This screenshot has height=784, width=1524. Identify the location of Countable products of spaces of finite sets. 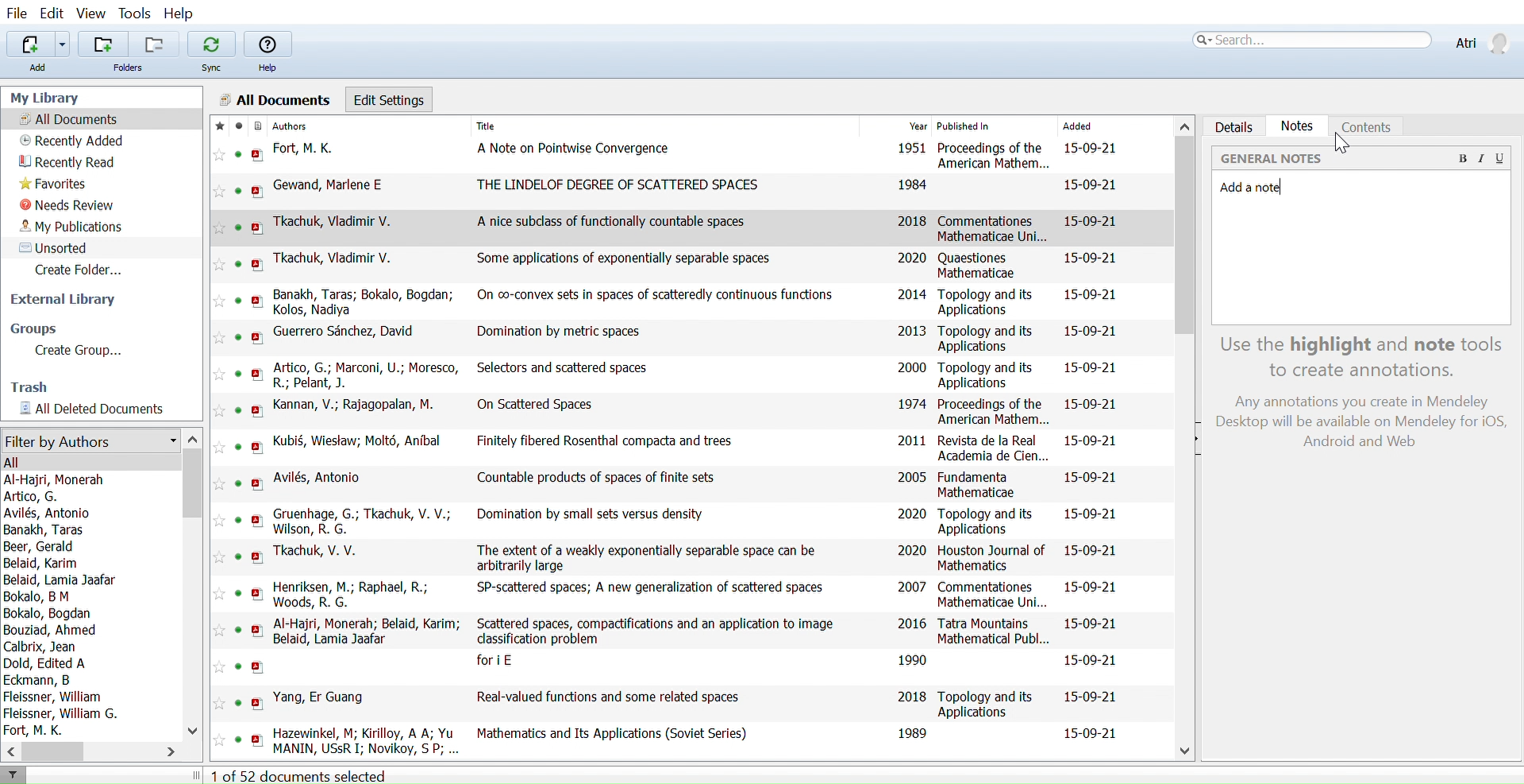
(597, 478).